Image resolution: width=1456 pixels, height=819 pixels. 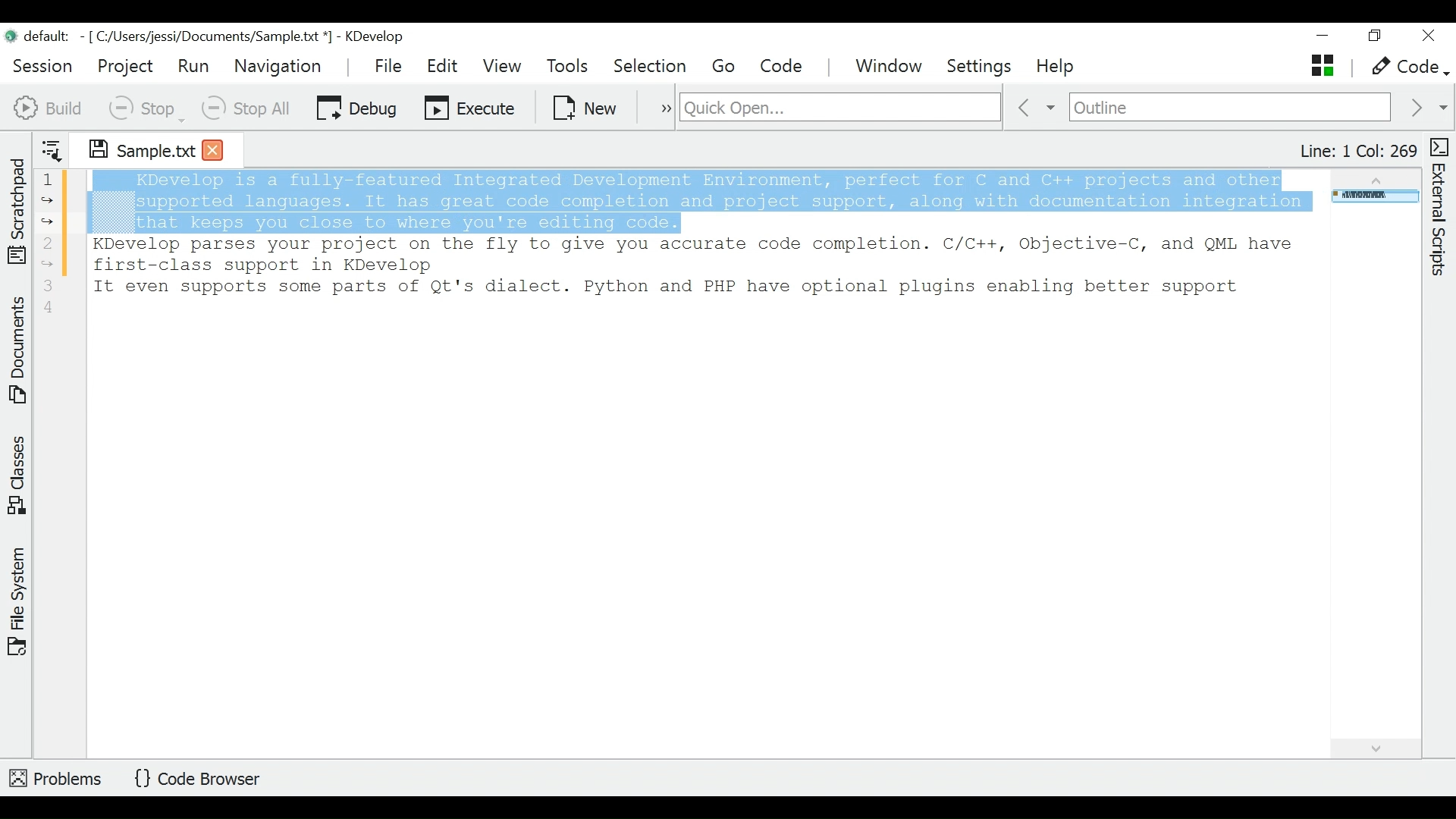 What do you see at coordinates (679, 201) in the screenshot?
I see `1 KDevelop is a fully-featured Integrated Development Environment, perfect for C and C++ projects and other supported languages. It has great code completion and project support, along with documentation integration that keeps you close to where you're editing code.` at bounding box center [679, 201].